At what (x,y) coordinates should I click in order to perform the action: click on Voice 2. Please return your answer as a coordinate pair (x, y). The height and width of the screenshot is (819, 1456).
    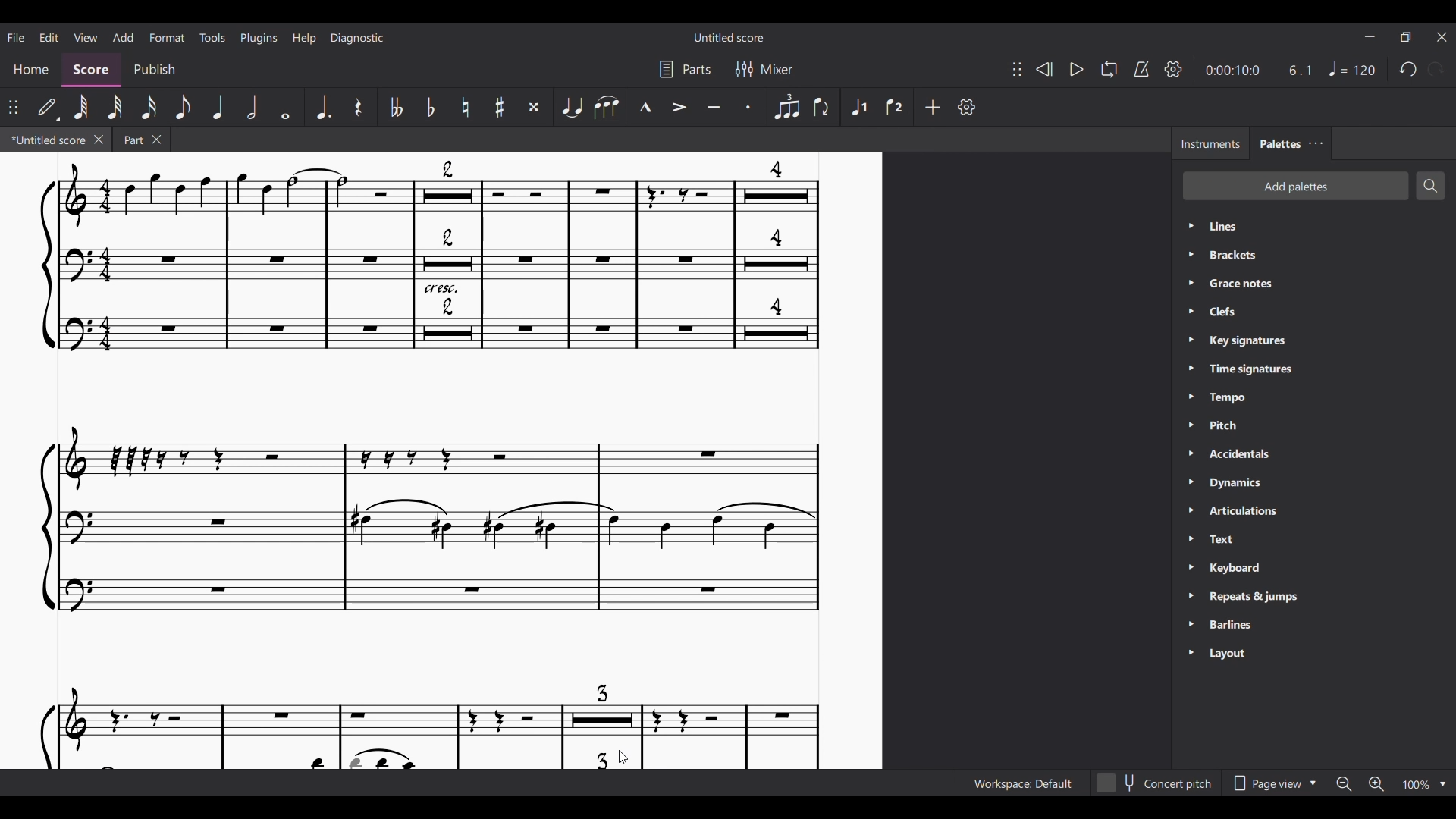
    Looking at the image, I should click on (896, 106).